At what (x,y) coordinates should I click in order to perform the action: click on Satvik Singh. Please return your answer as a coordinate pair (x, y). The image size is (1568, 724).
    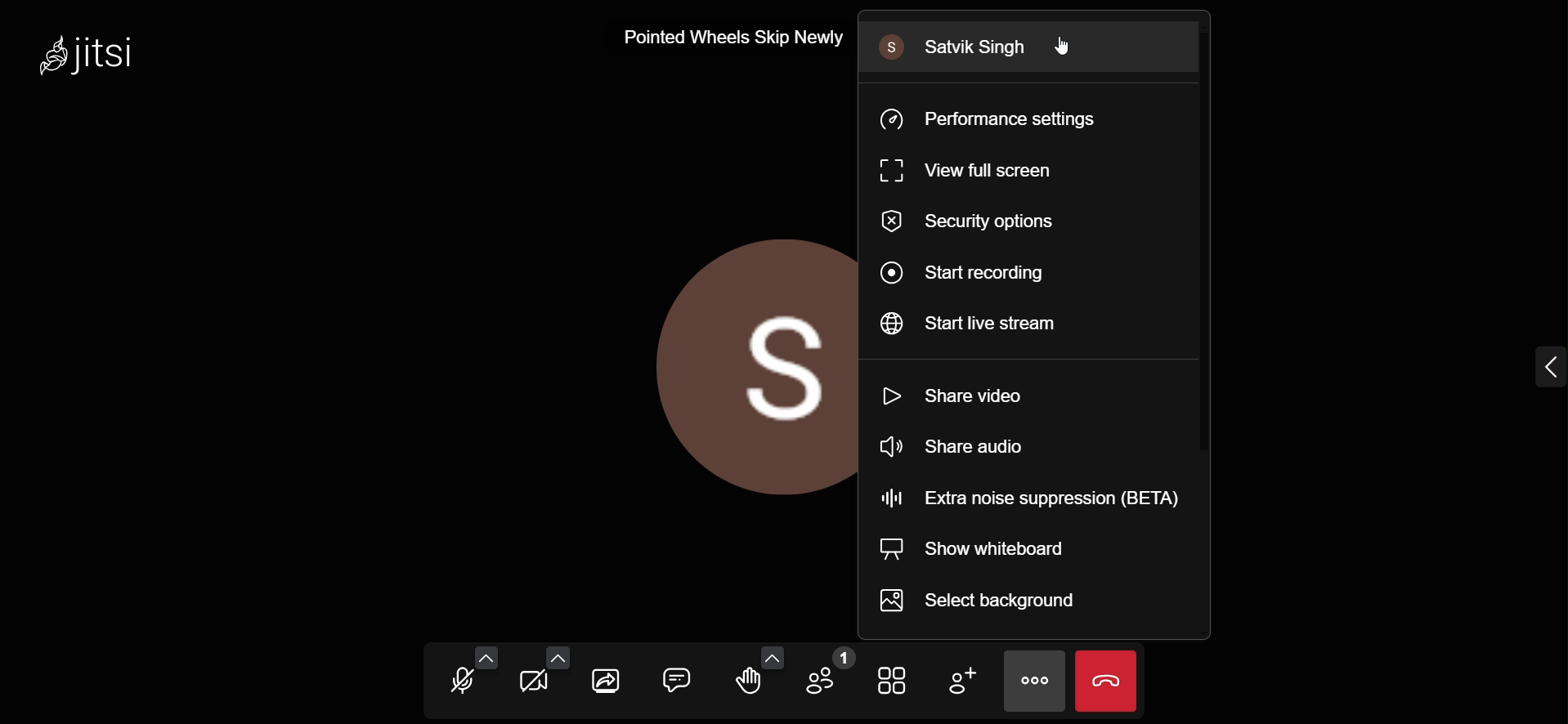
    Looking at the image, I should click on (986, 50).